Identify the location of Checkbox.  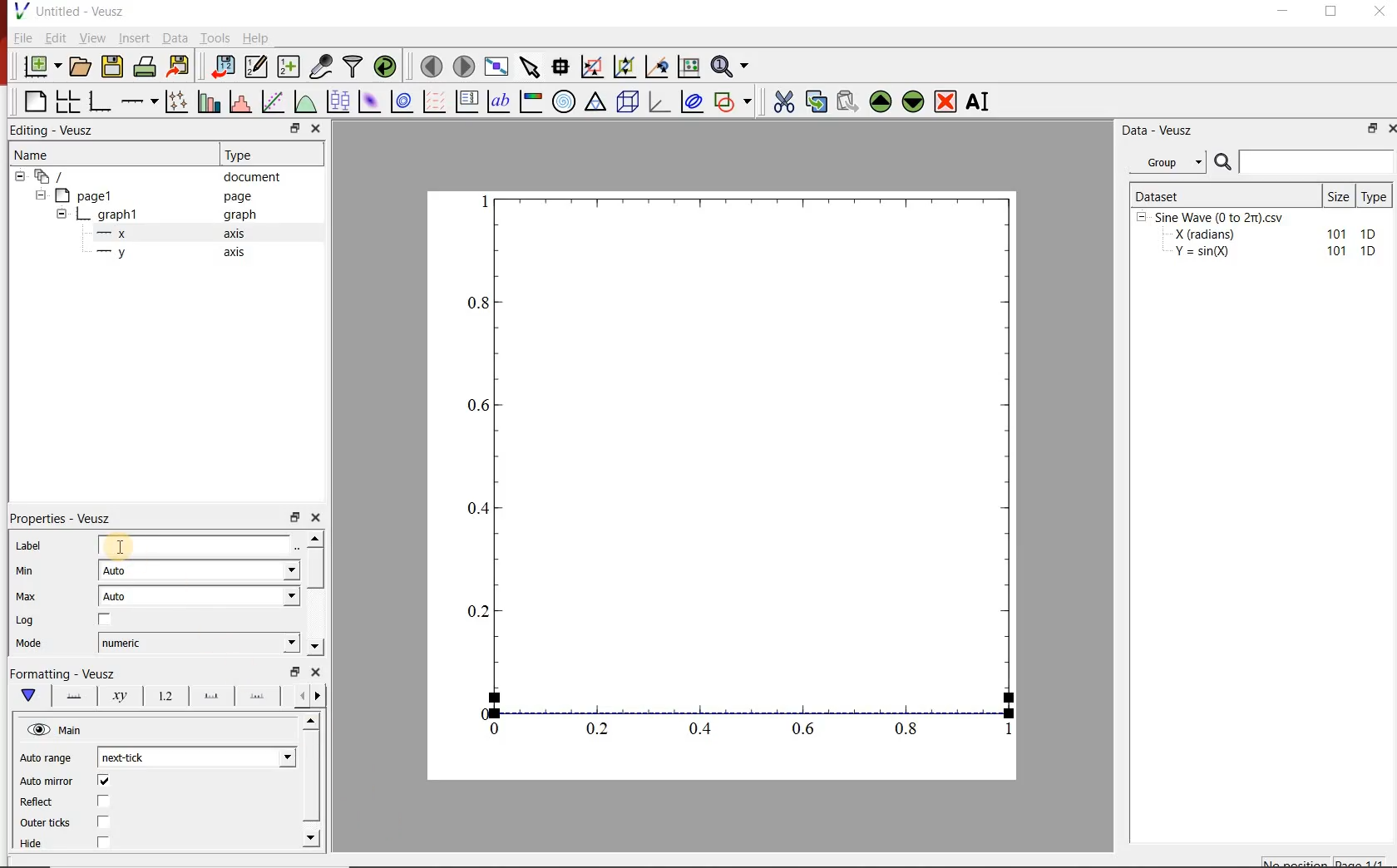
(106, 620).